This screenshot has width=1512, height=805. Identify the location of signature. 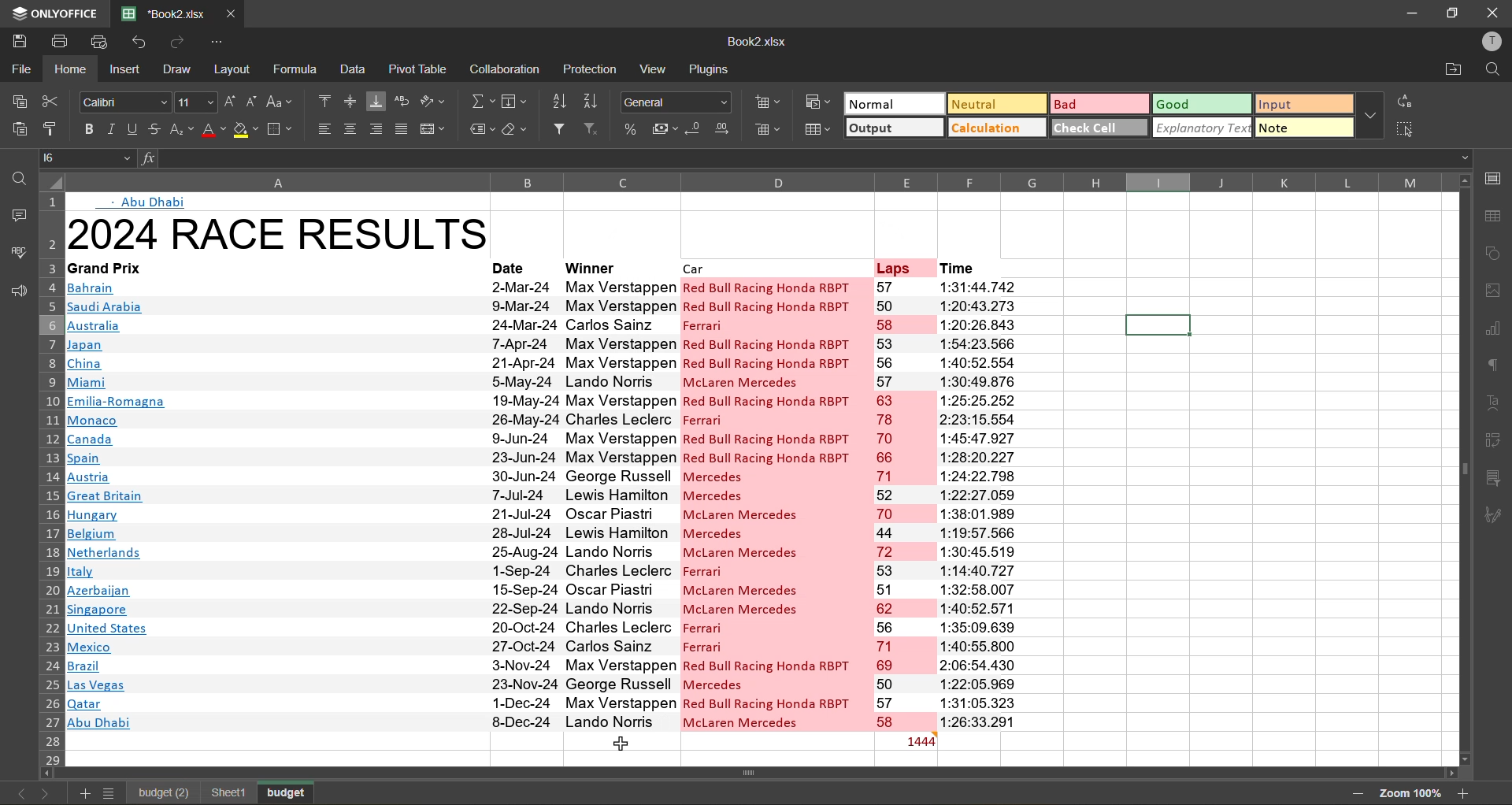
(1498, 515).